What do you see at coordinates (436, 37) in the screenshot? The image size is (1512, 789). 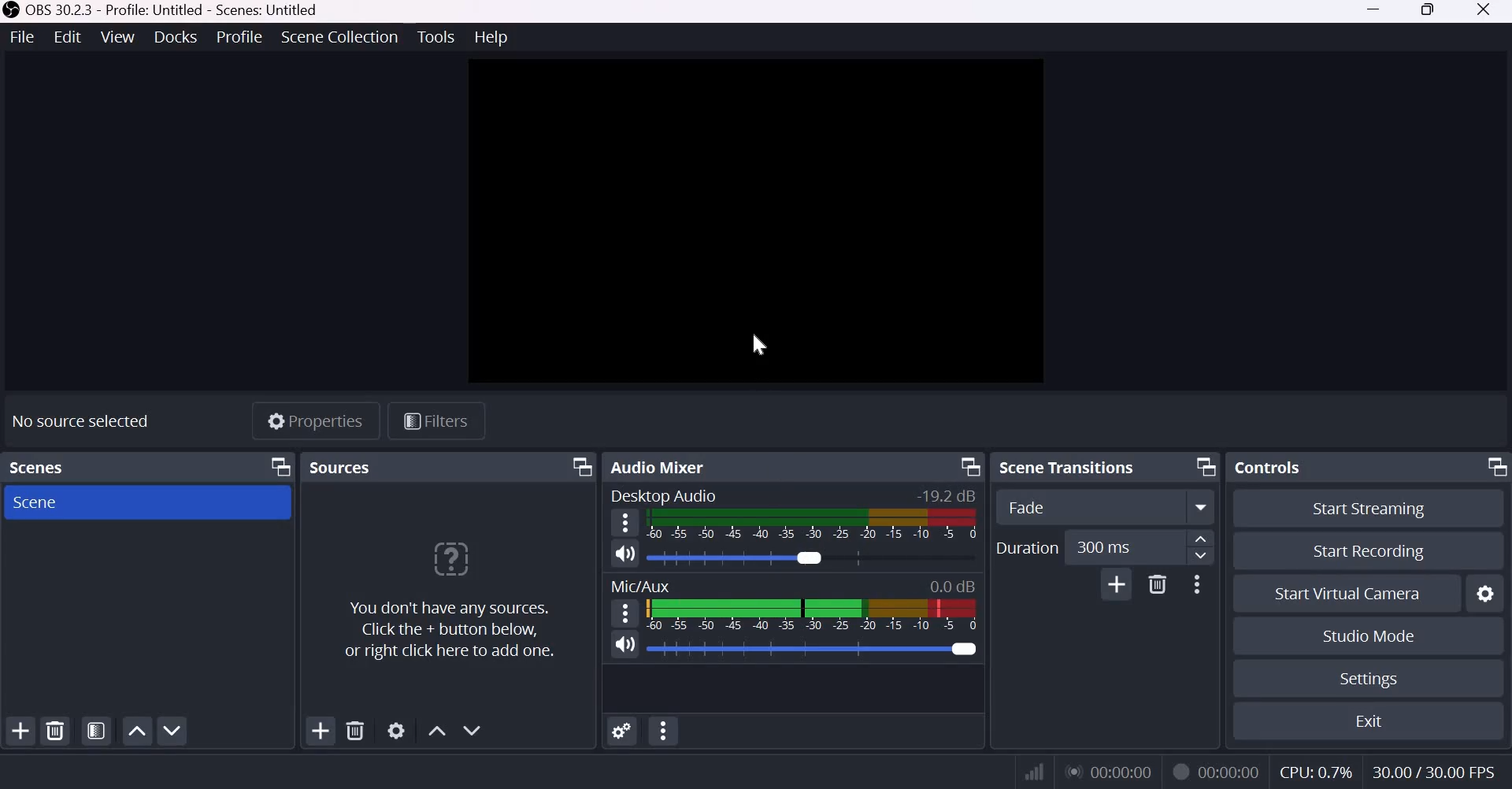 I see `Tools` at bounding box center [436, 37].